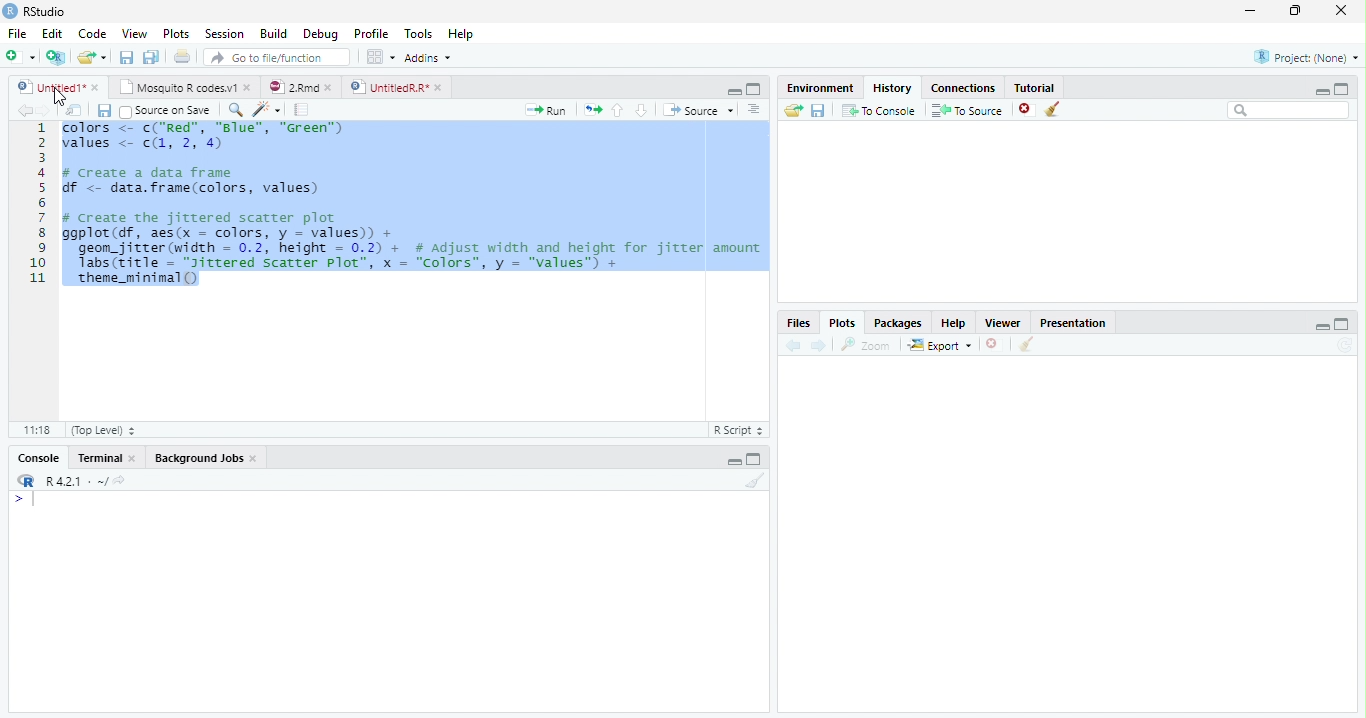 This screenshot has height=718, width=1366. What do you see at coordinates (55, 57) in the screenshot?
I see `Create a project` at bounding box center [55, 57].